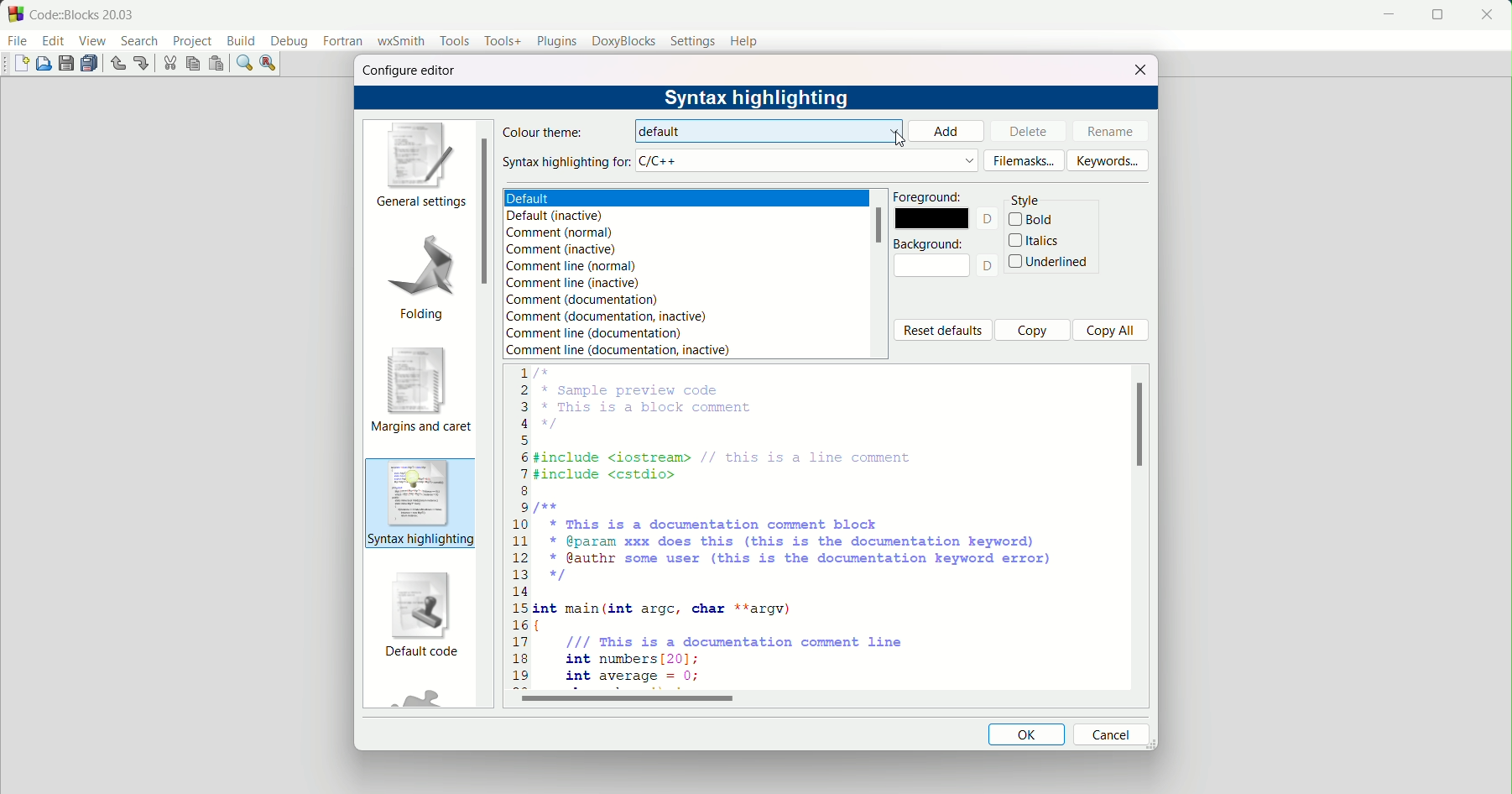  Describe the element at coordinates (242, 40) in the screenshot. I see `build` at that location.